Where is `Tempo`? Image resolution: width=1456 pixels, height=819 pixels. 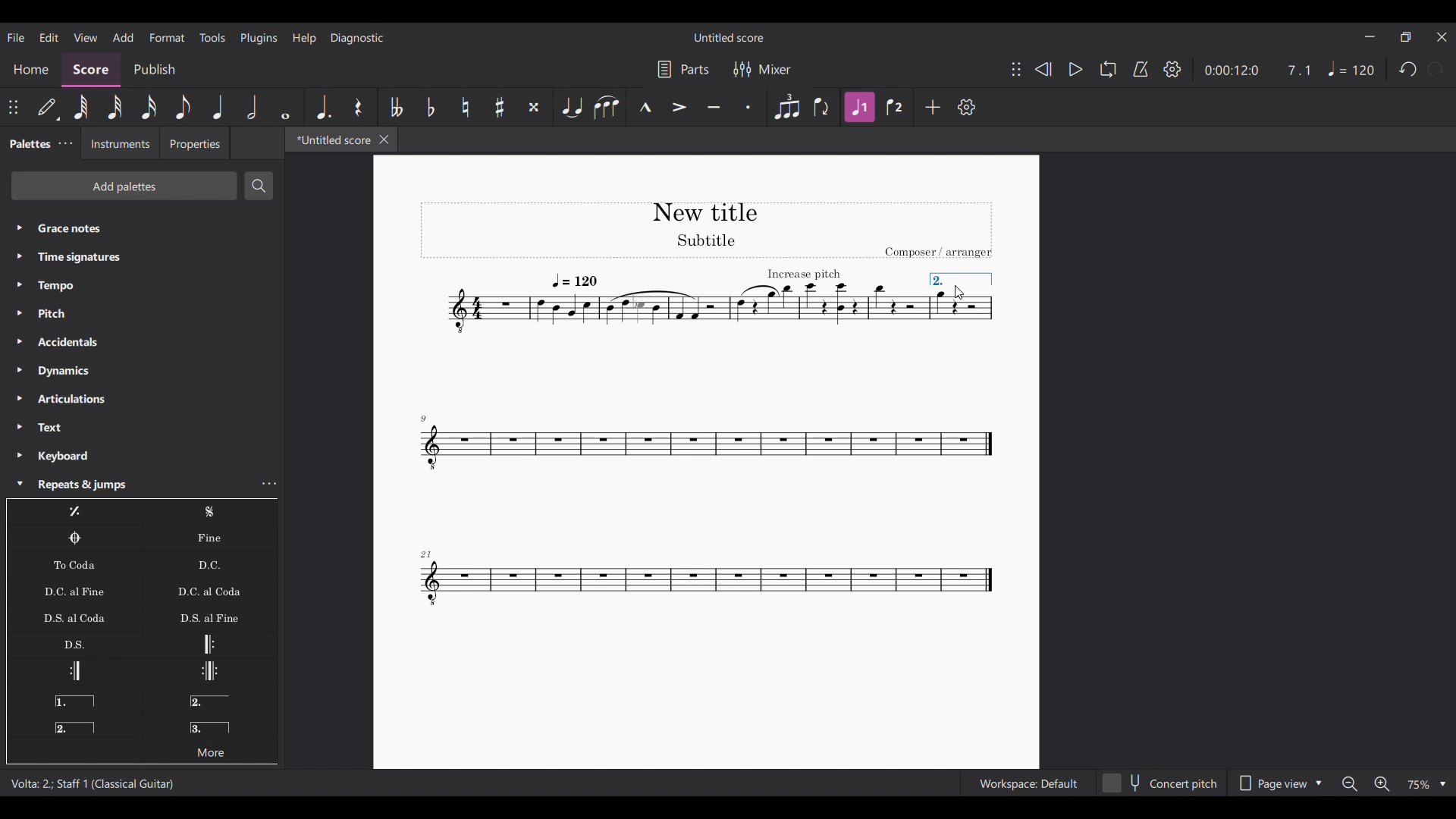 Tempo is located at coordinates (142, 286).